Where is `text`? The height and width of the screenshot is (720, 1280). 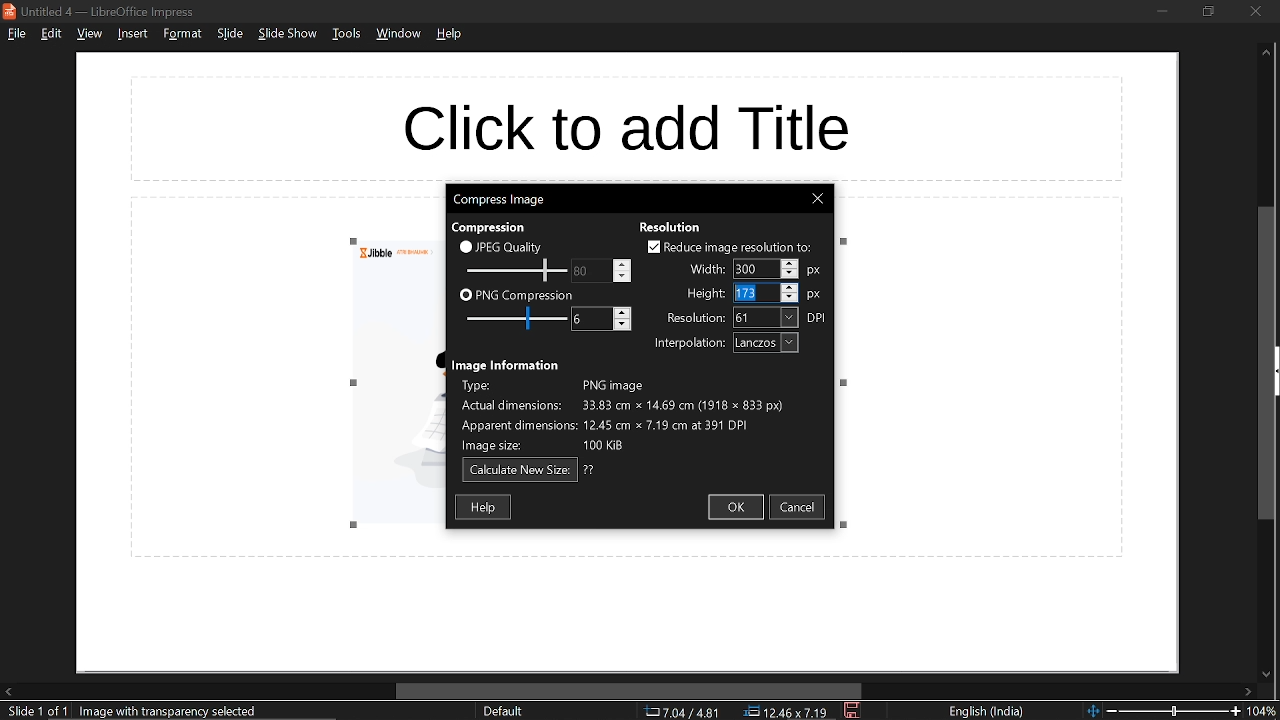 text is located at coordinates (689, 344).